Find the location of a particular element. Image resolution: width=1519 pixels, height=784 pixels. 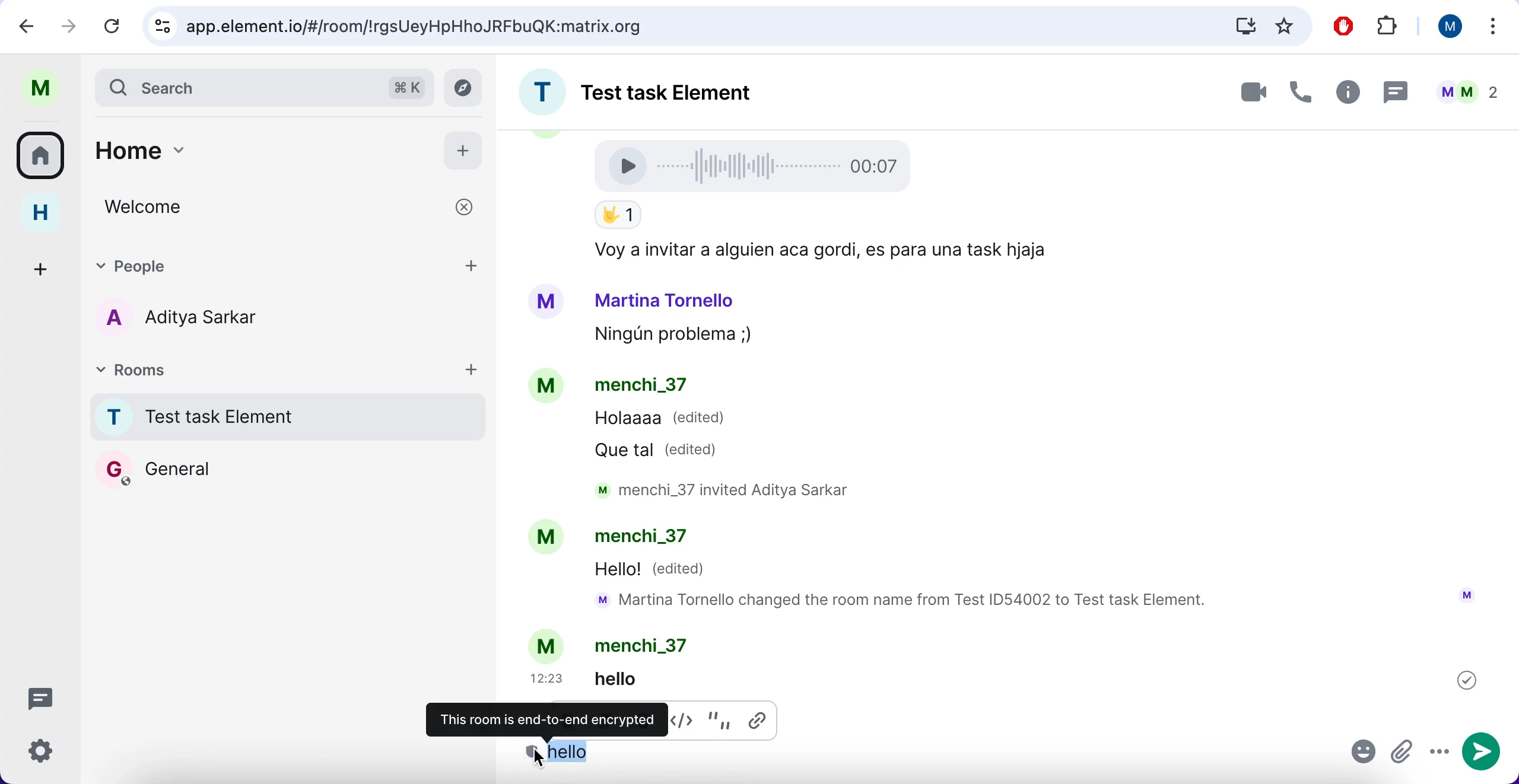

mM Martina Tornello changed the room name from Test ID54002 to Test task Element. is located at coordinates (907, 601).